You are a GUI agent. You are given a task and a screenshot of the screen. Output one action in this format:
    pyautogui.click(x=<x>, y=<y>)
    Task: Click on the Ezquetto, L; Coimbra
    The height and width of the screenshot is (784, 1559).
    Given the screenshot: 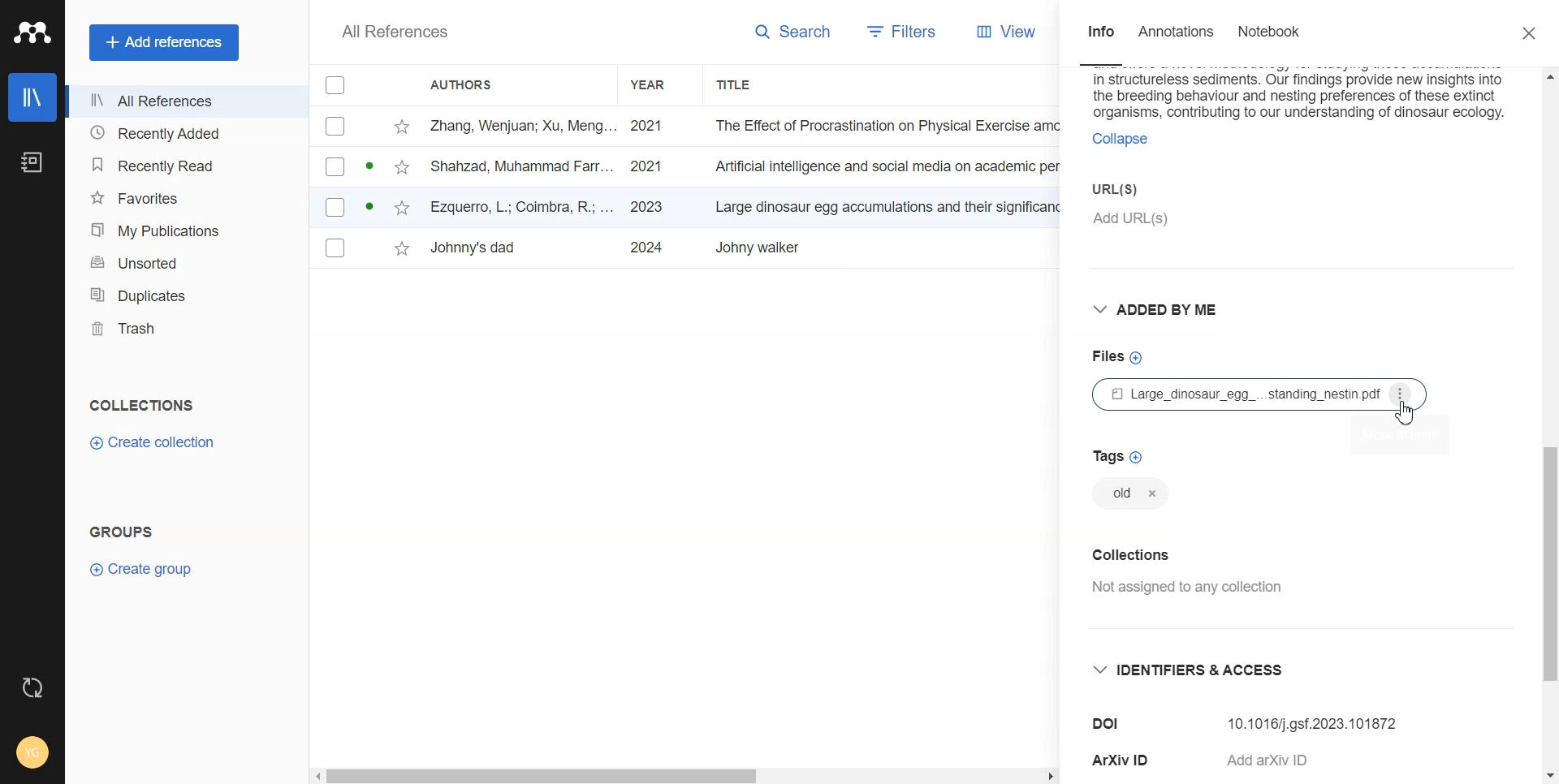 What is the action you would take?
    pyautogui.click(x=523, y=208)
    